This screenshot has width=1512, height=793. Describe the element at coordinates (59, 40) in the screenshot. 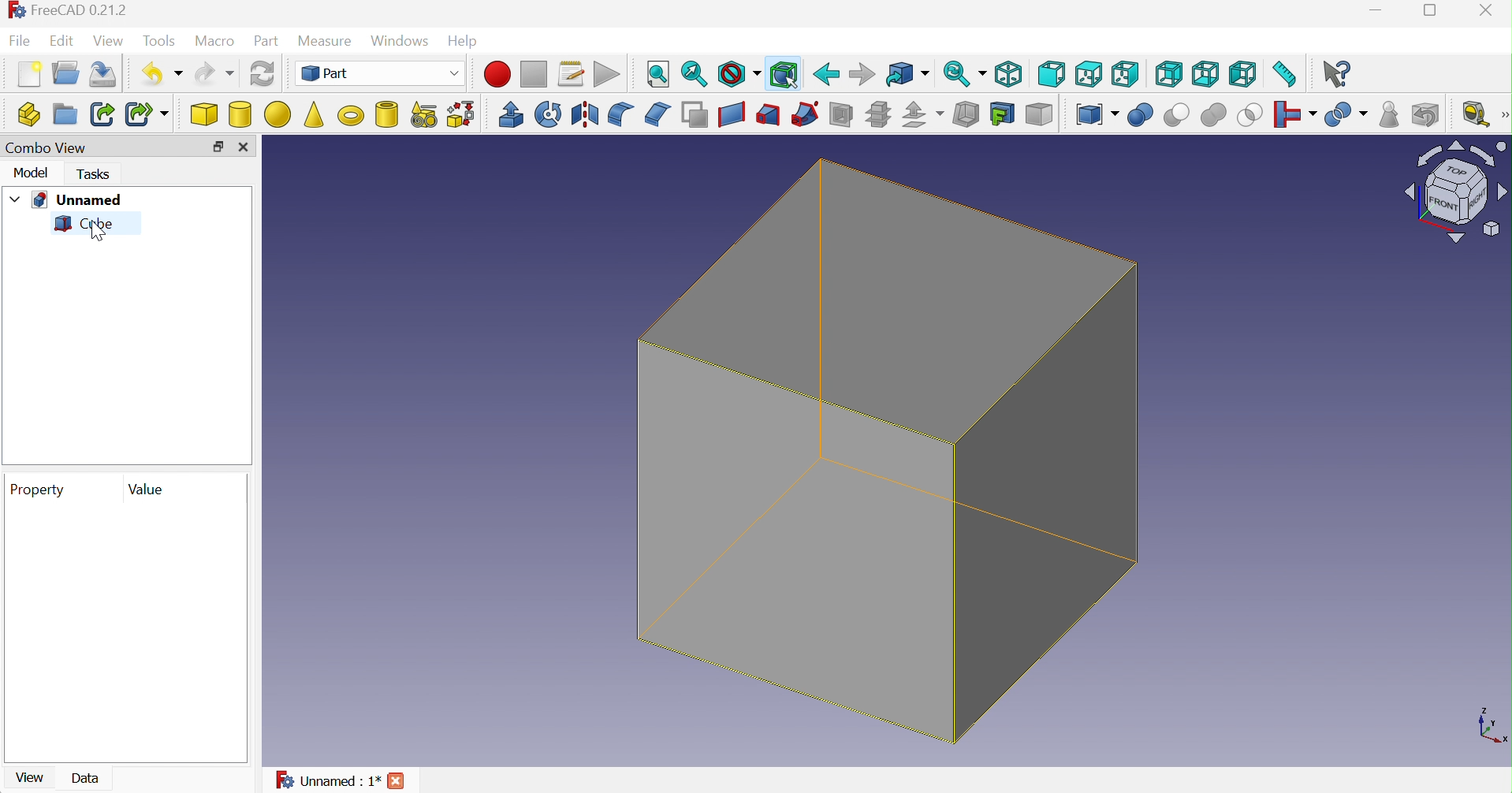

I see `Edit` at that location.